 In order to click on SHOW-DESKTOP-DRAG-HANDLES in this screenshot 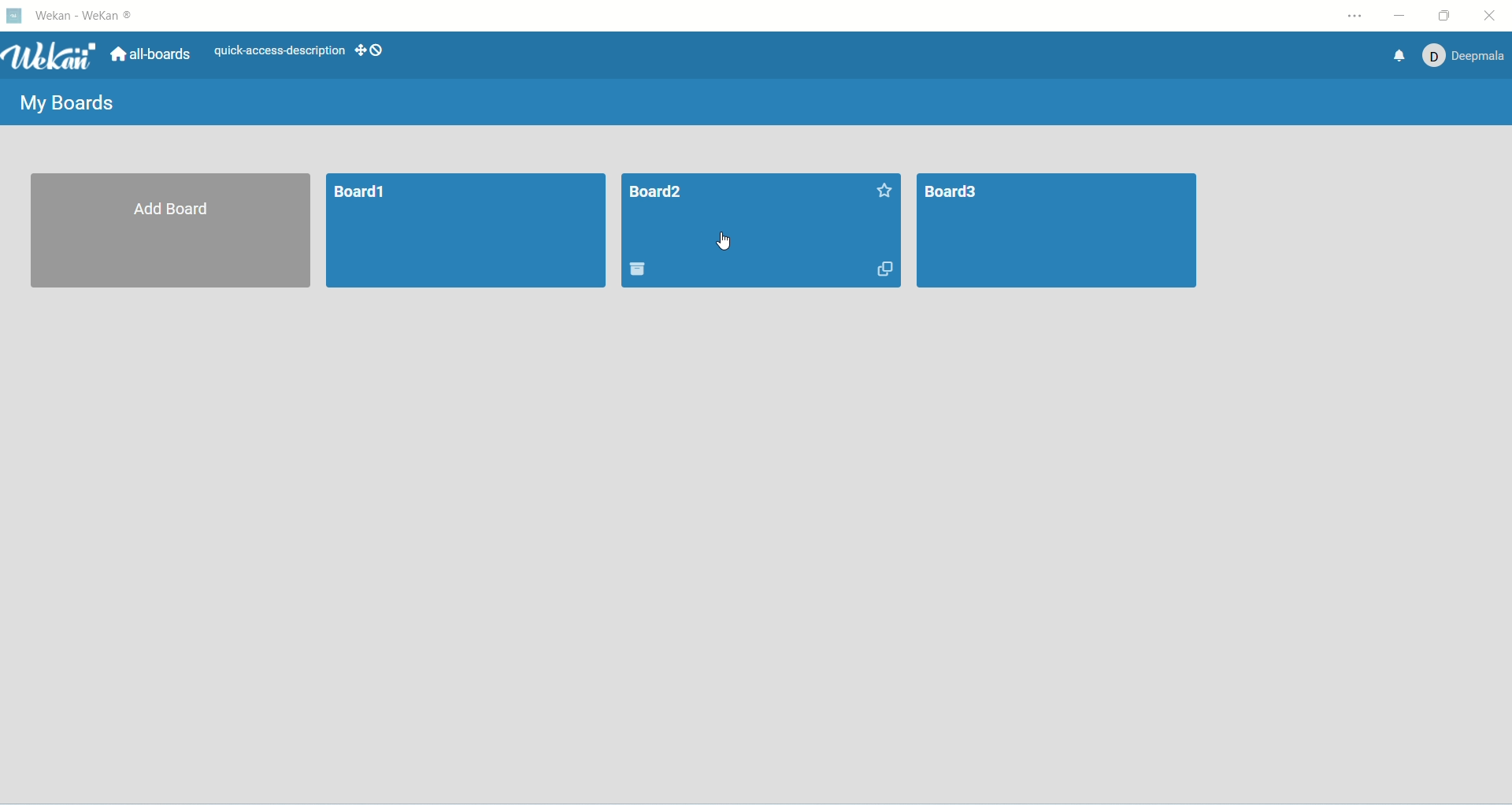, I will do `click(369, 50)`.